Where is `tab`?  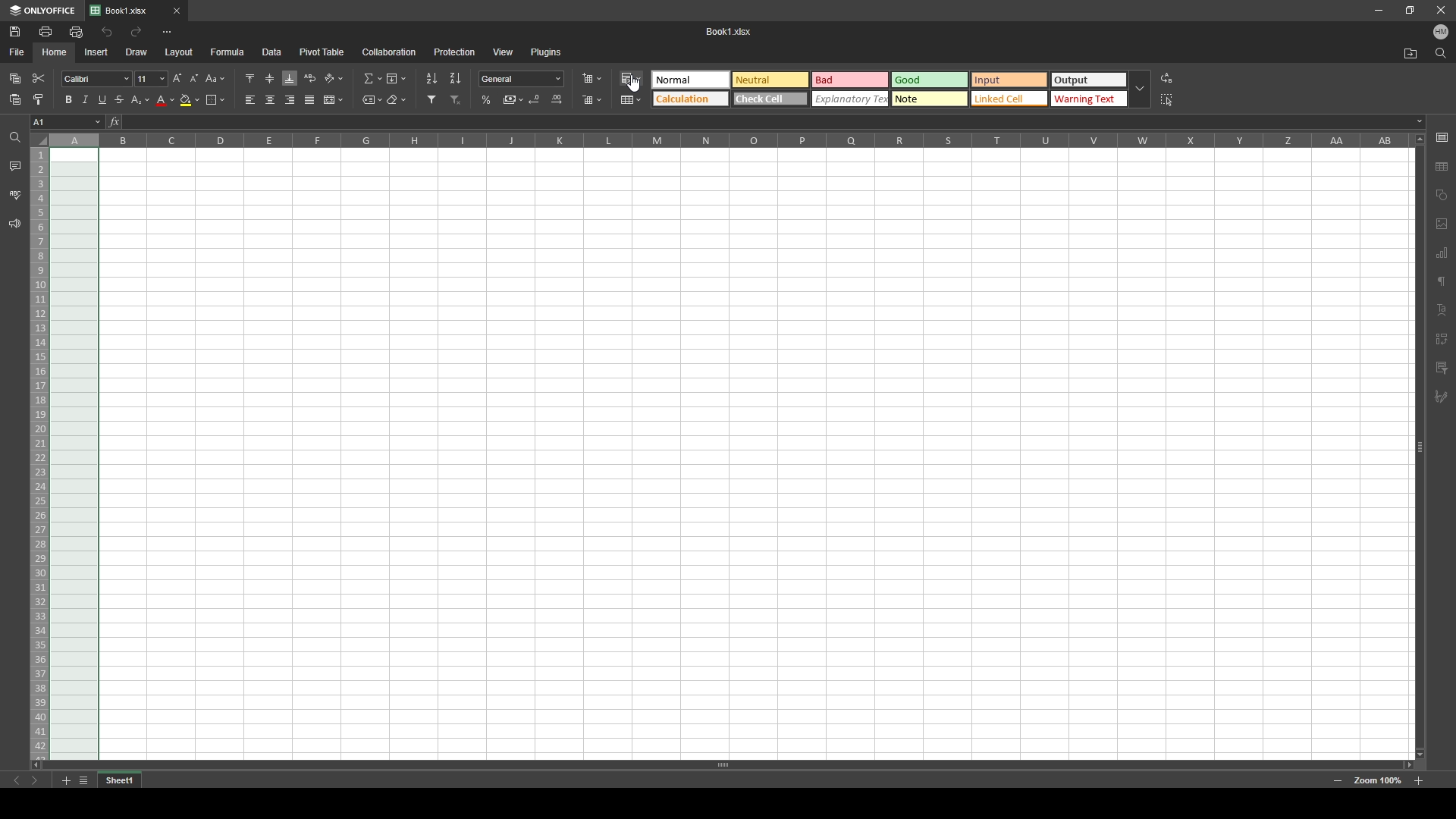 tab is located at coordinates (127, 11).